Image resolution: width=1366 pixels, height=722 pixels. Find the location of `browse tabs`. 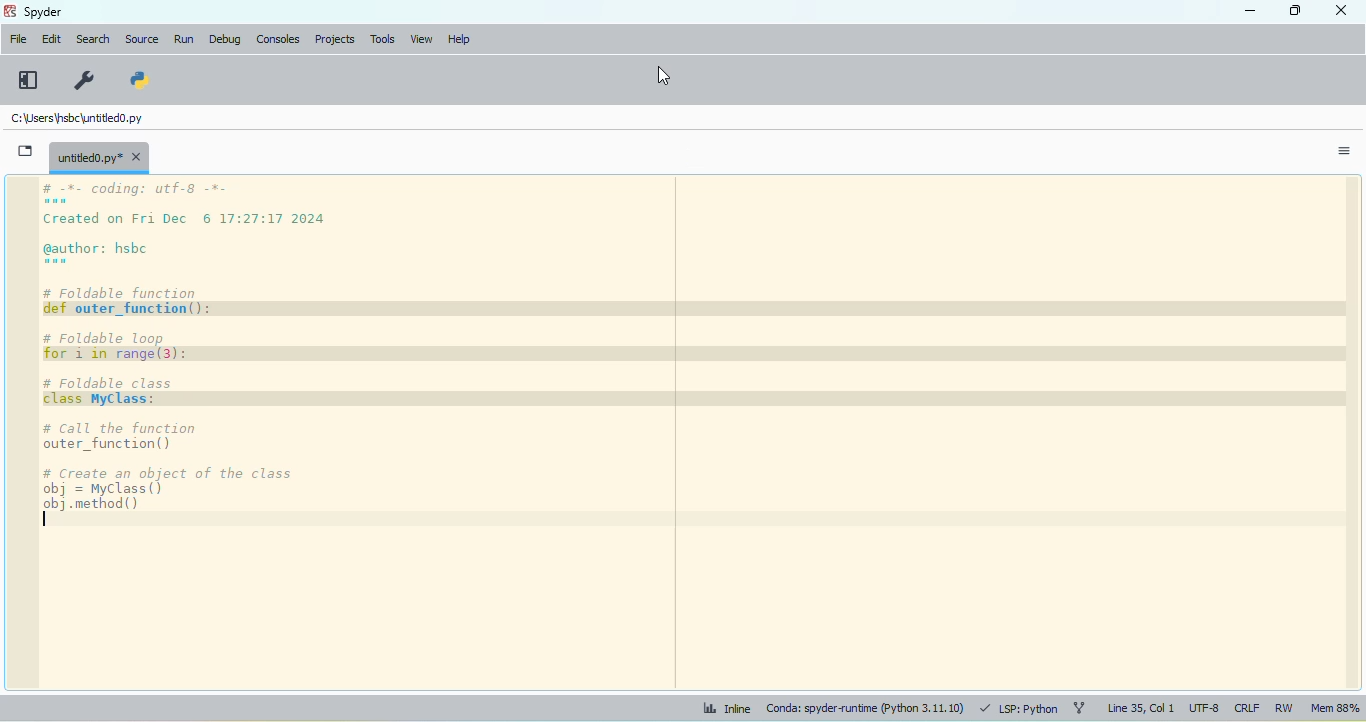

browse tabs is located at coordinates (26, 151).